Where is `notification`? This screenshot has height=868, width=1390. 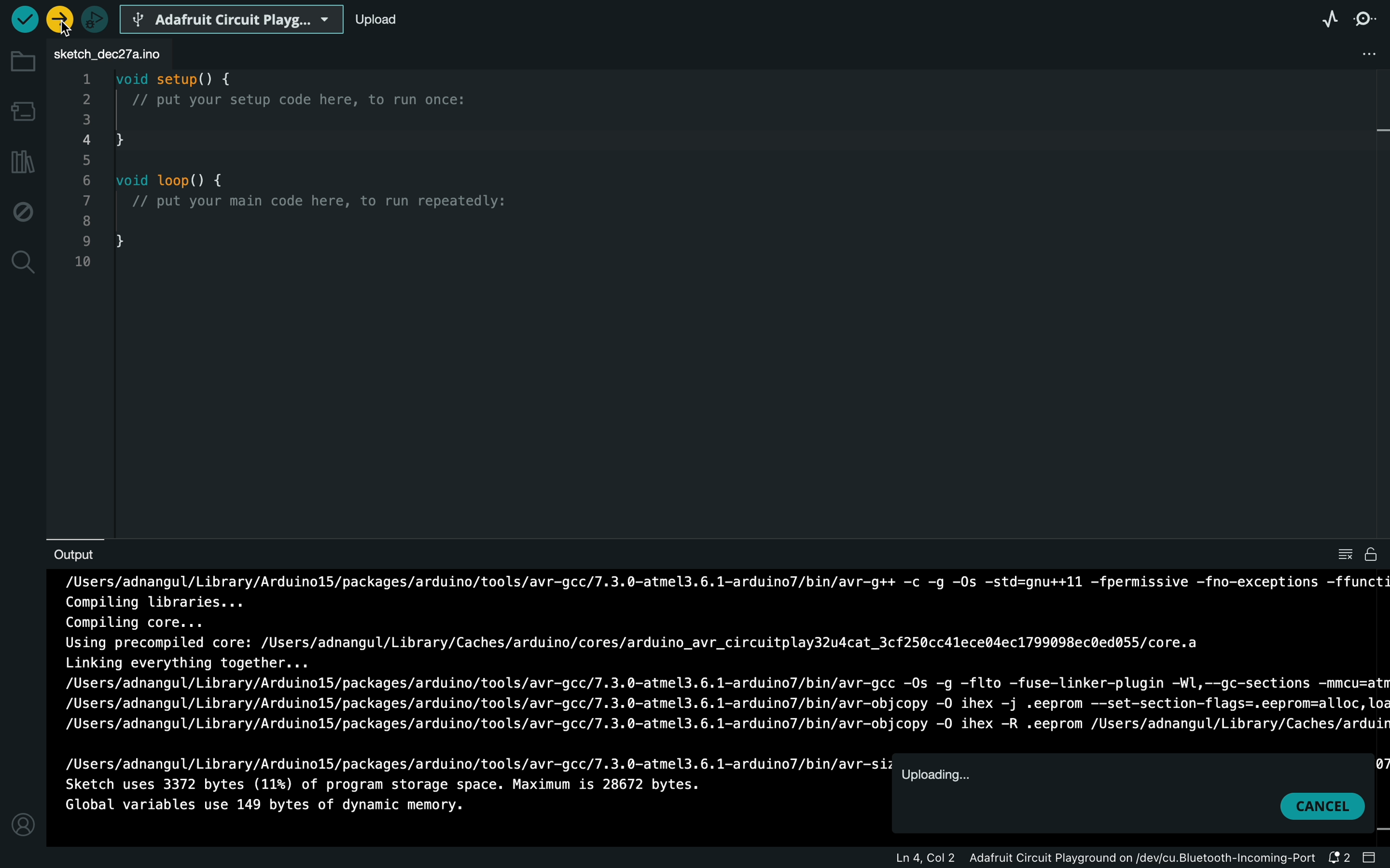 notification is located at coordinates (1339, 858).